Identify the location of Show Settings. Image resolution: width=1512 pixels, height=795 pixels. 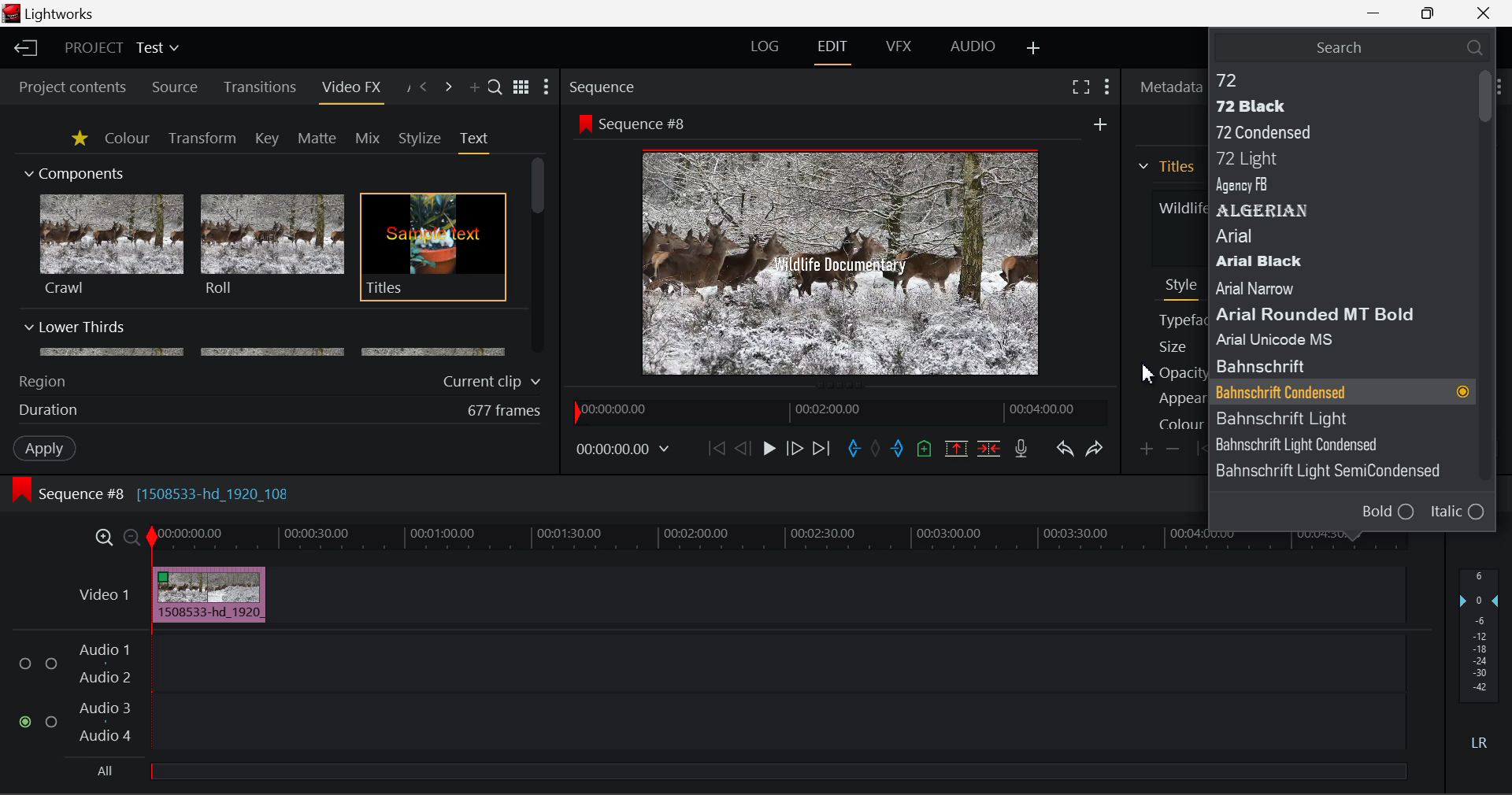
(547, 87).